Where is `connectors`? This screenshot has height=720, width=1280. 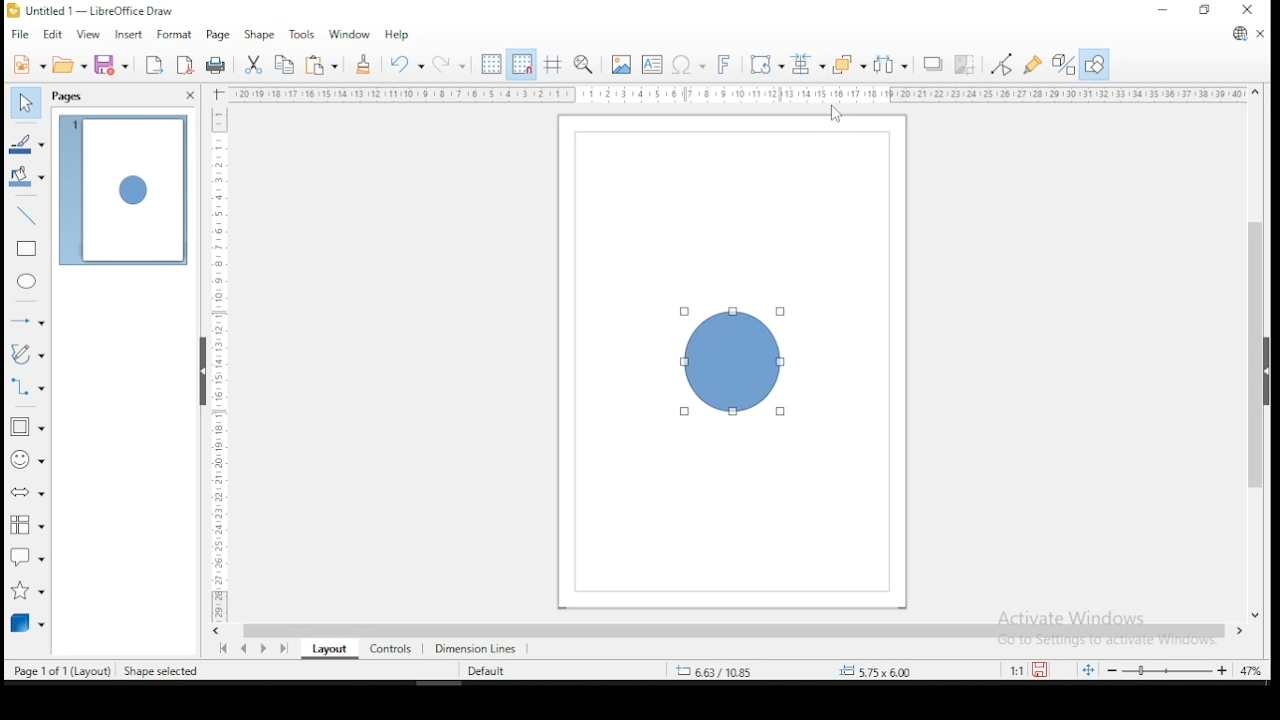
connectors is located at coordinates (25, 385).